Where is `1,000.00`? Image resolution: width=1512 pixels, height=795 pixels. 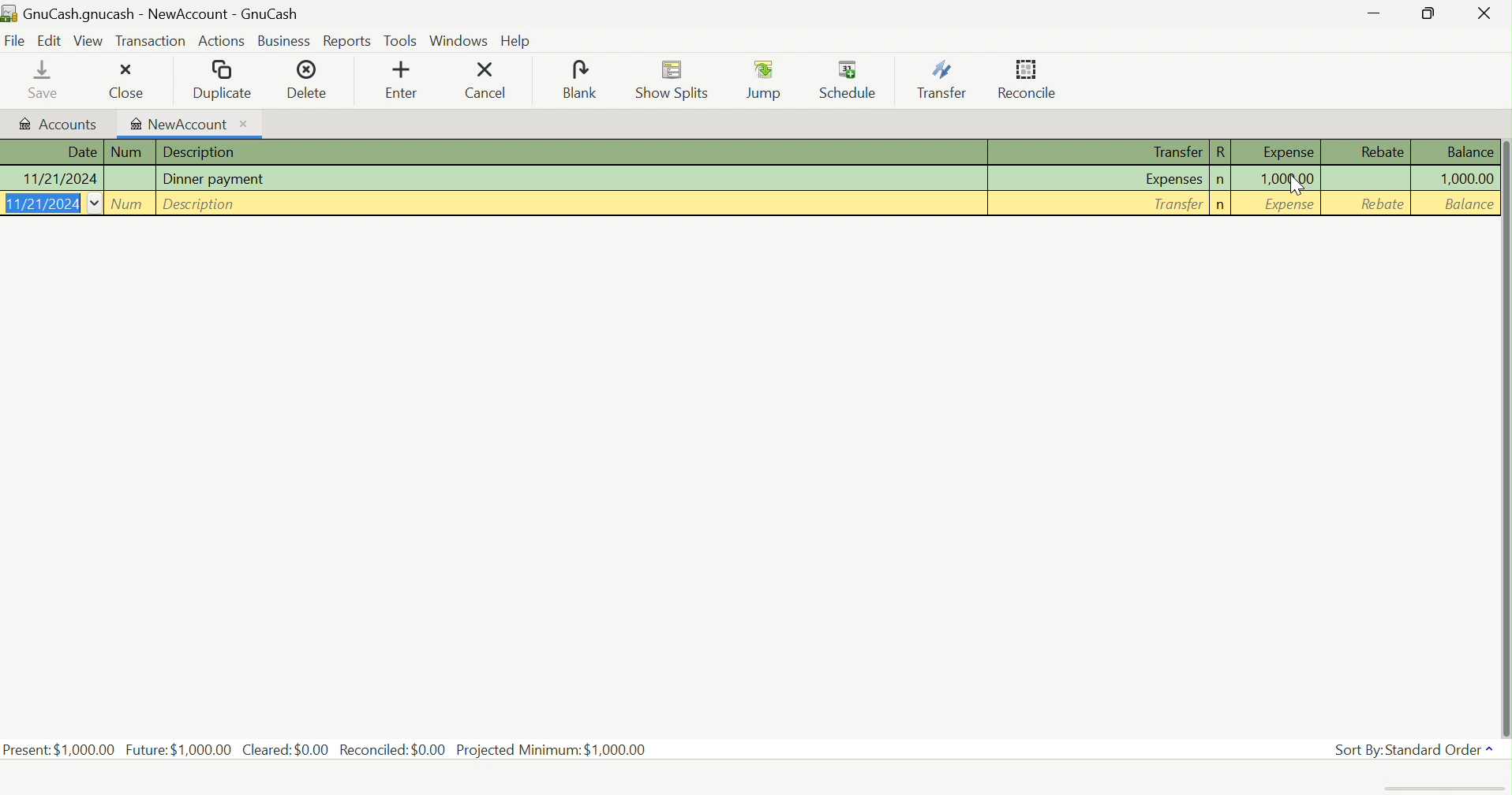
1,000.00 is located at coordinates (1465, 177).